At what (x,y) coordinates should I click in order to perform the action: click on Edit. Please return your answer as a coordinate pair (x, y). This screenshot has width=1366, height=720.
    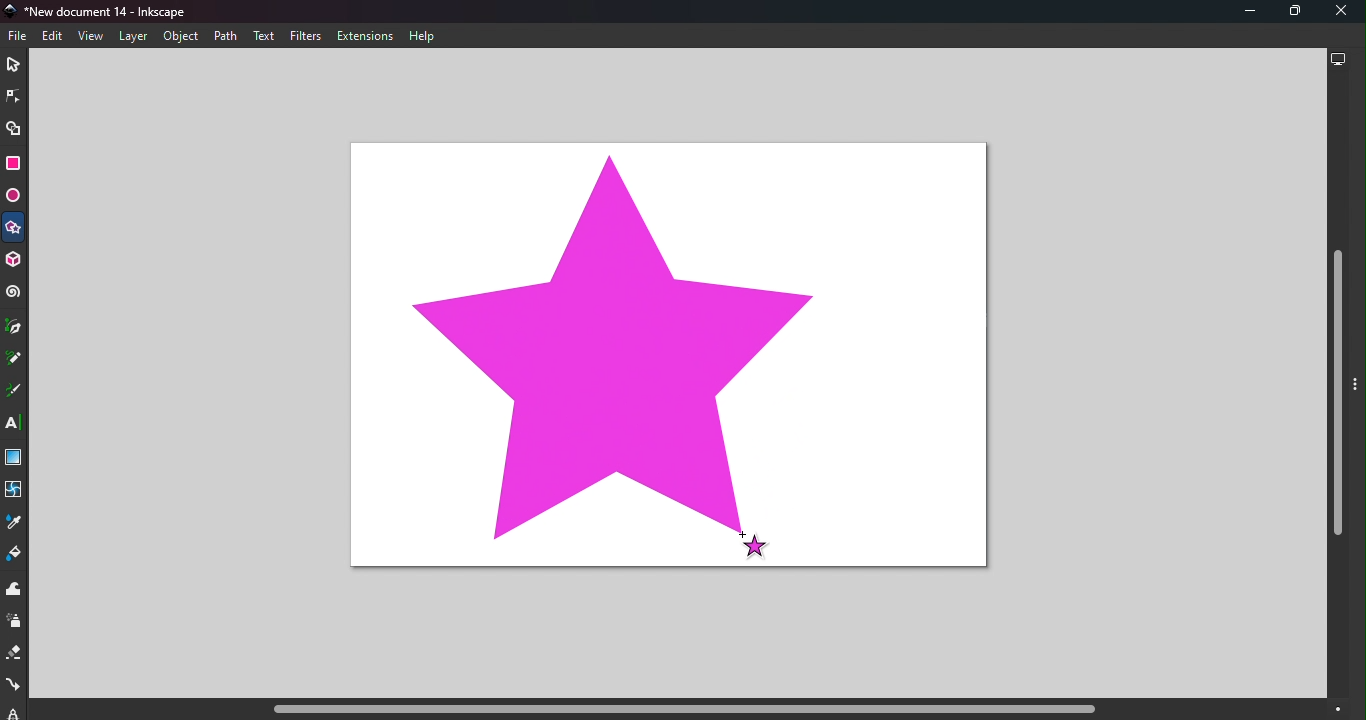
    Looking at the image, I should click on (52, 37).